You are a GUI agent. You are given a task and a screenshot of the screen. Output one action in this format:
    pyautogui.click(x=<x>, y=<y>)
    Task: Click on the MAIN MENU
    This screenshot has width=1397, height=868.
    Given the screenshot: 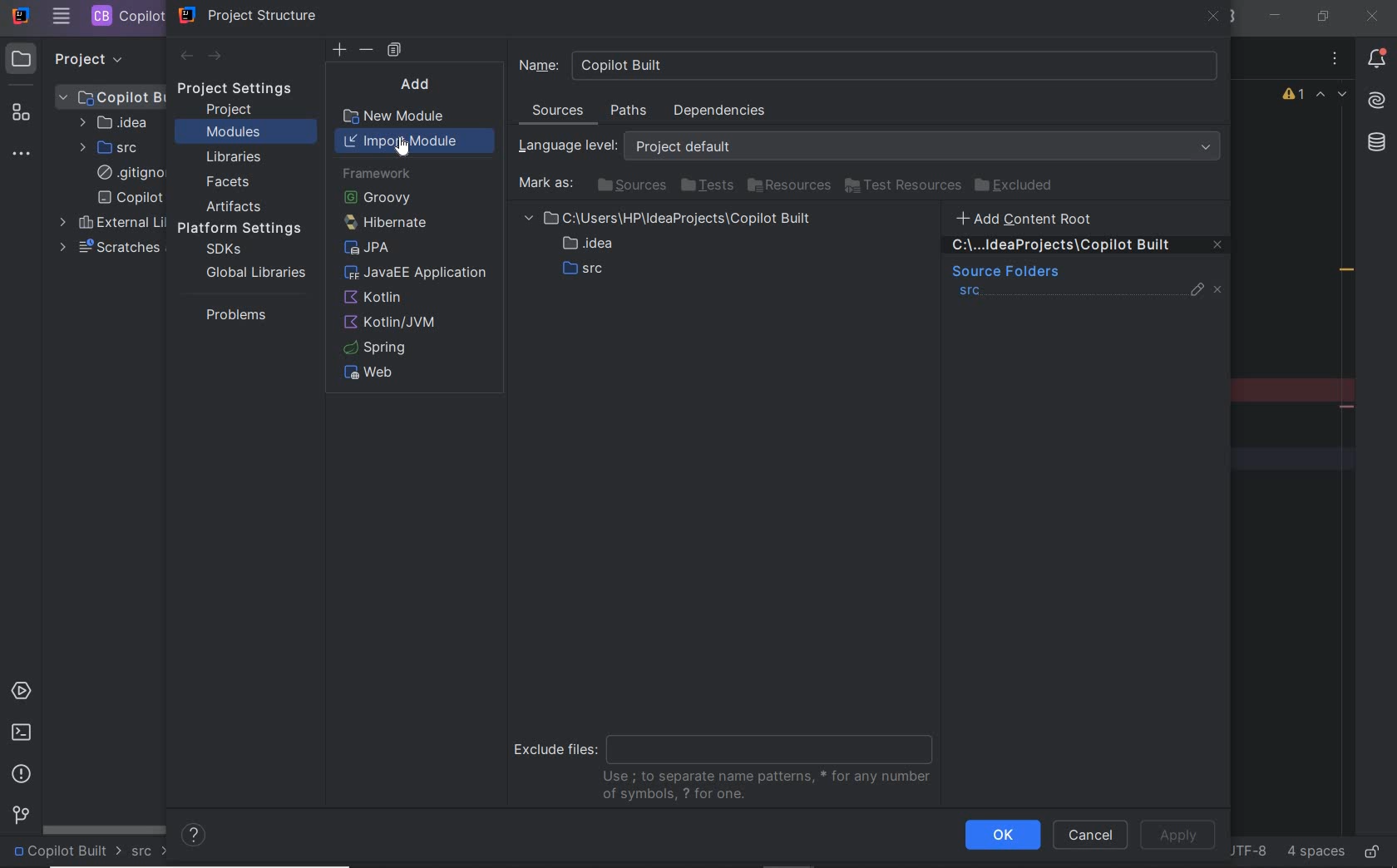 What is the action you would take?
    pyautogui.click(x=61, y=17)
    